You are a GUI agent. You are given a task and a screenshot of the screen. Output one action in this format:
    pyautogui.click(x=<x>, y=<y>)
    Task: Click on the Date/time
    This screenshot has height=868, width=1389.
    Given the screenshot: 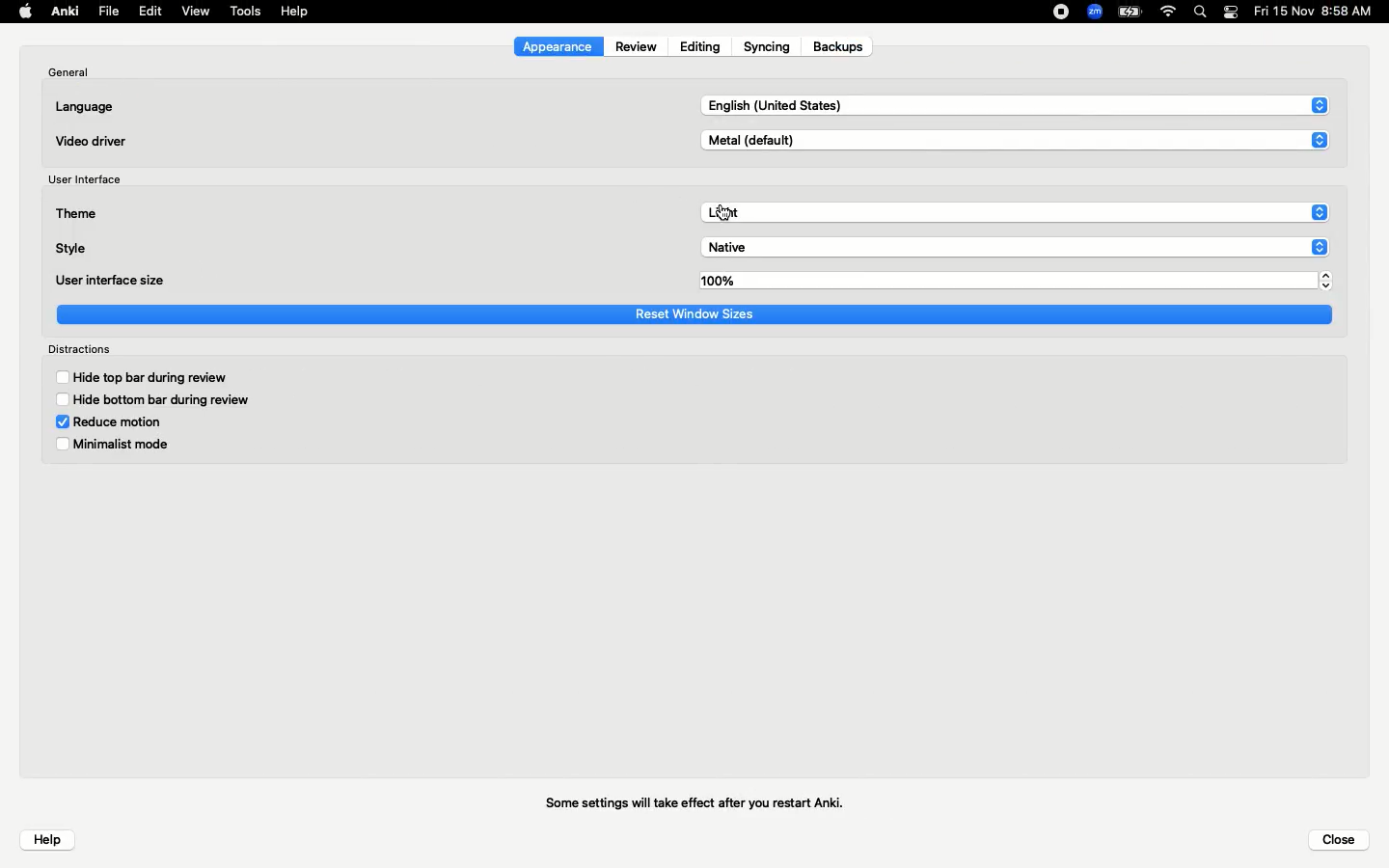 What is the action you would take?
    pyautogui.click(x=1313, y=13)
    